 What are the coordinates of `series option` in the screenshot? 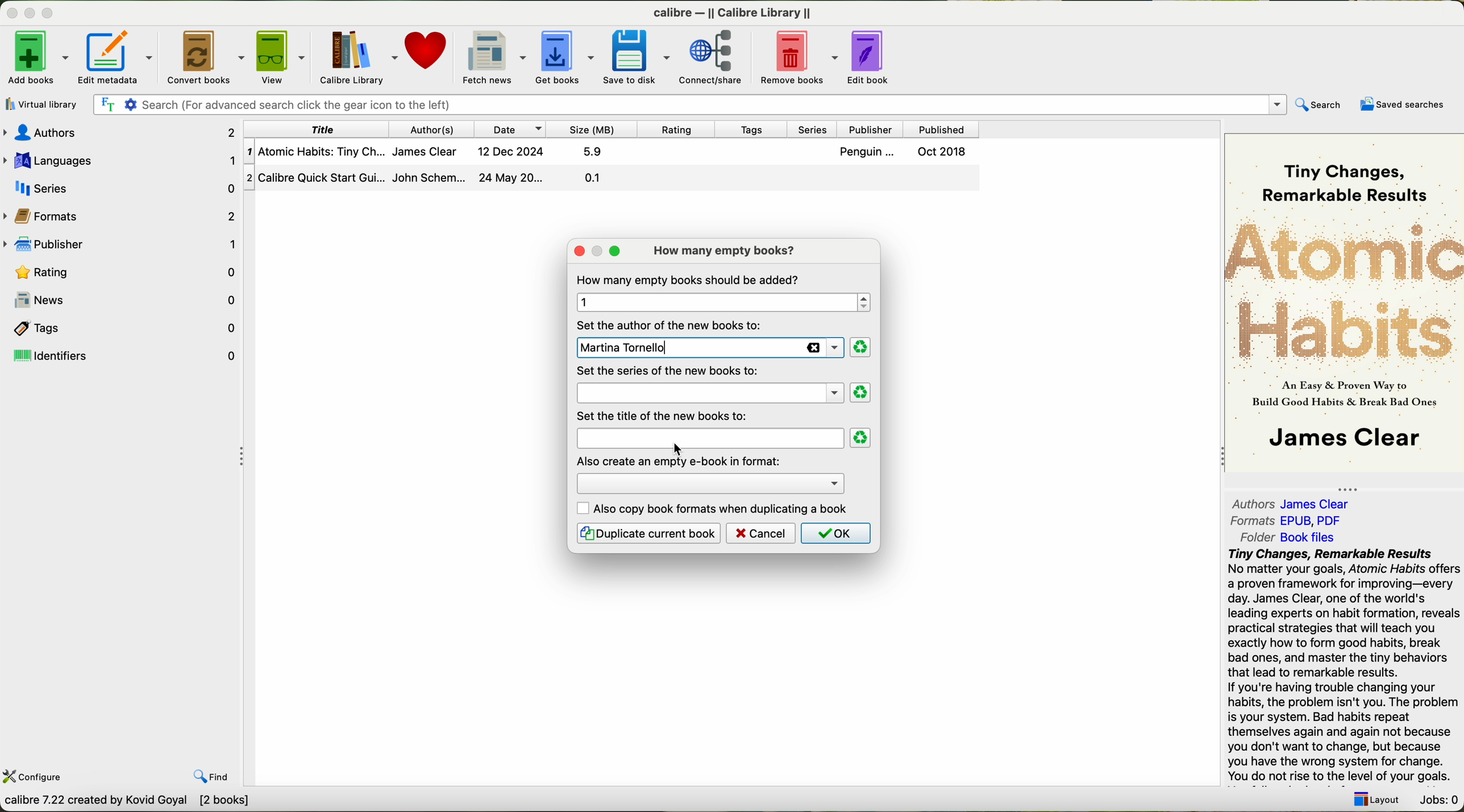 It's located at (709, 393).